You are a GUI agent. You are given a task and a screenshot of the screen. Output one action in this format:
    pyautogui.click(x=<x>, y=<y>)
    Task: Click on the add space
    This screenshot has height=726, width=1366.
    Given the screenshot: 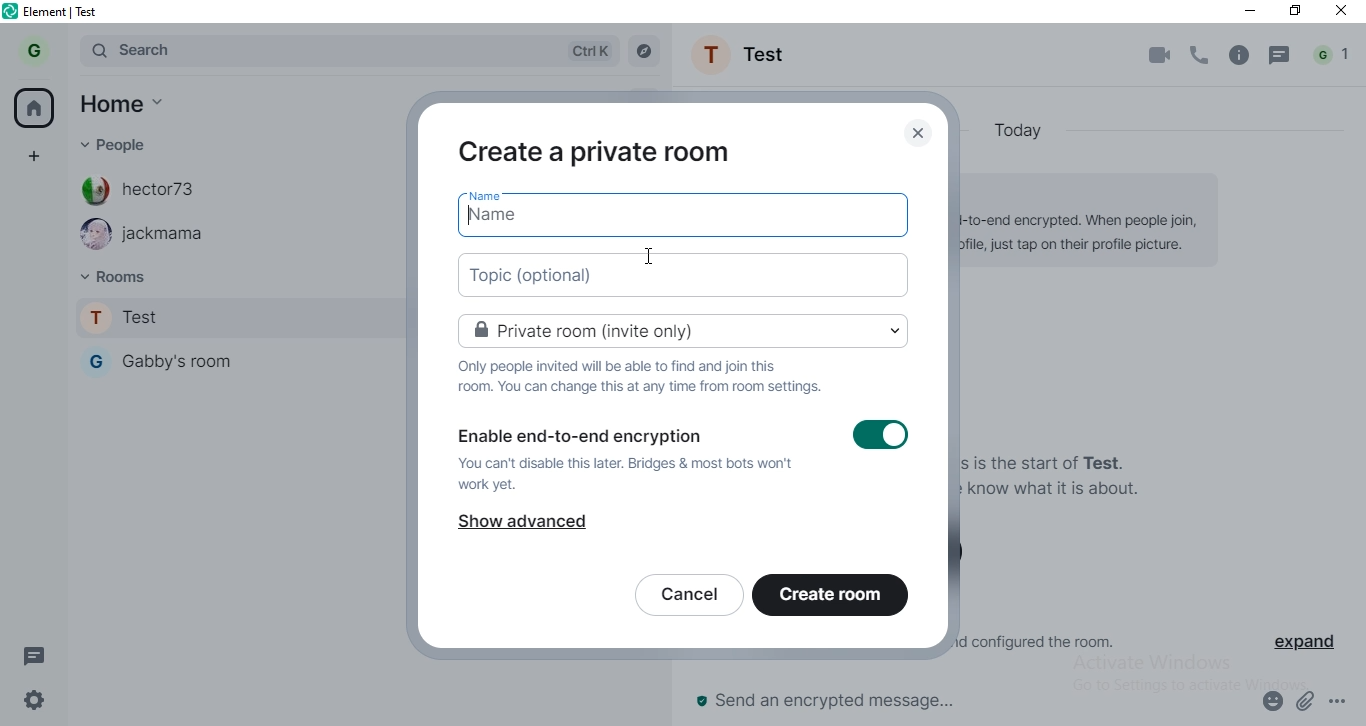 What is the action you would take?
    pyautogui.click(x=37, y=164)
    